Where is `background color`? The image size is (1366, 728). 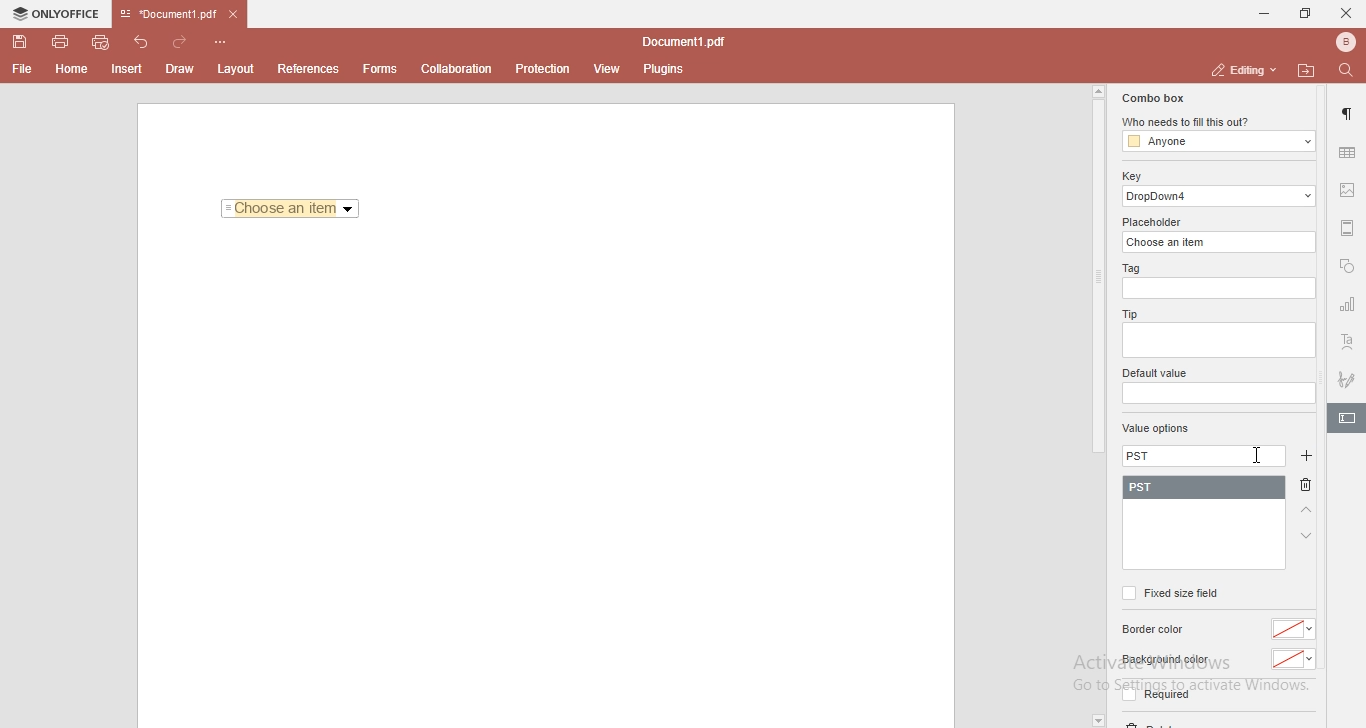 background color is located at coordinates (1164, 660).